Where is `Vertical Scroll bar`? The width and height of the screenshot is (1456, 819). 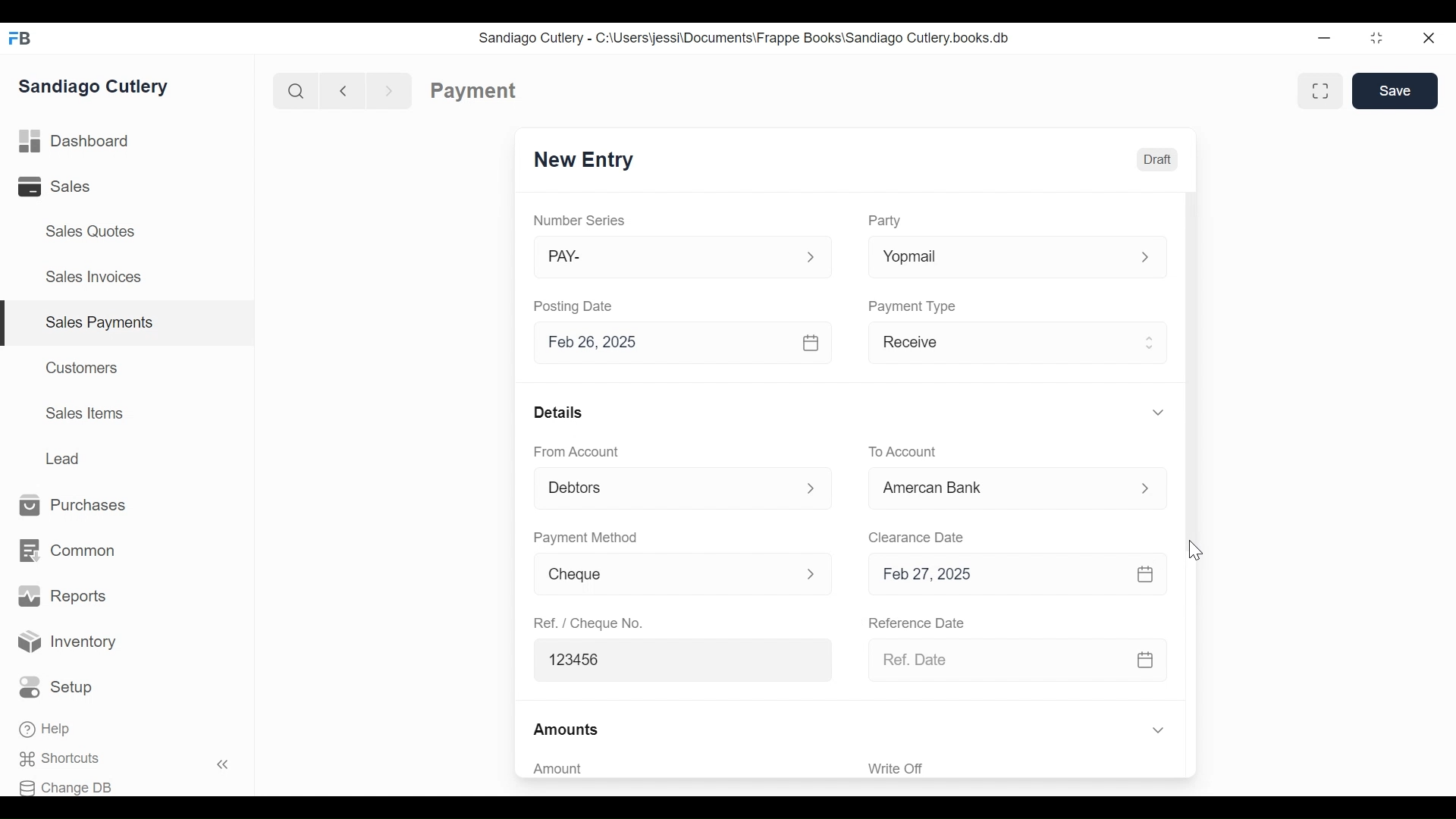 Vertical Scroll bar is located at coordinates (1189, 374).